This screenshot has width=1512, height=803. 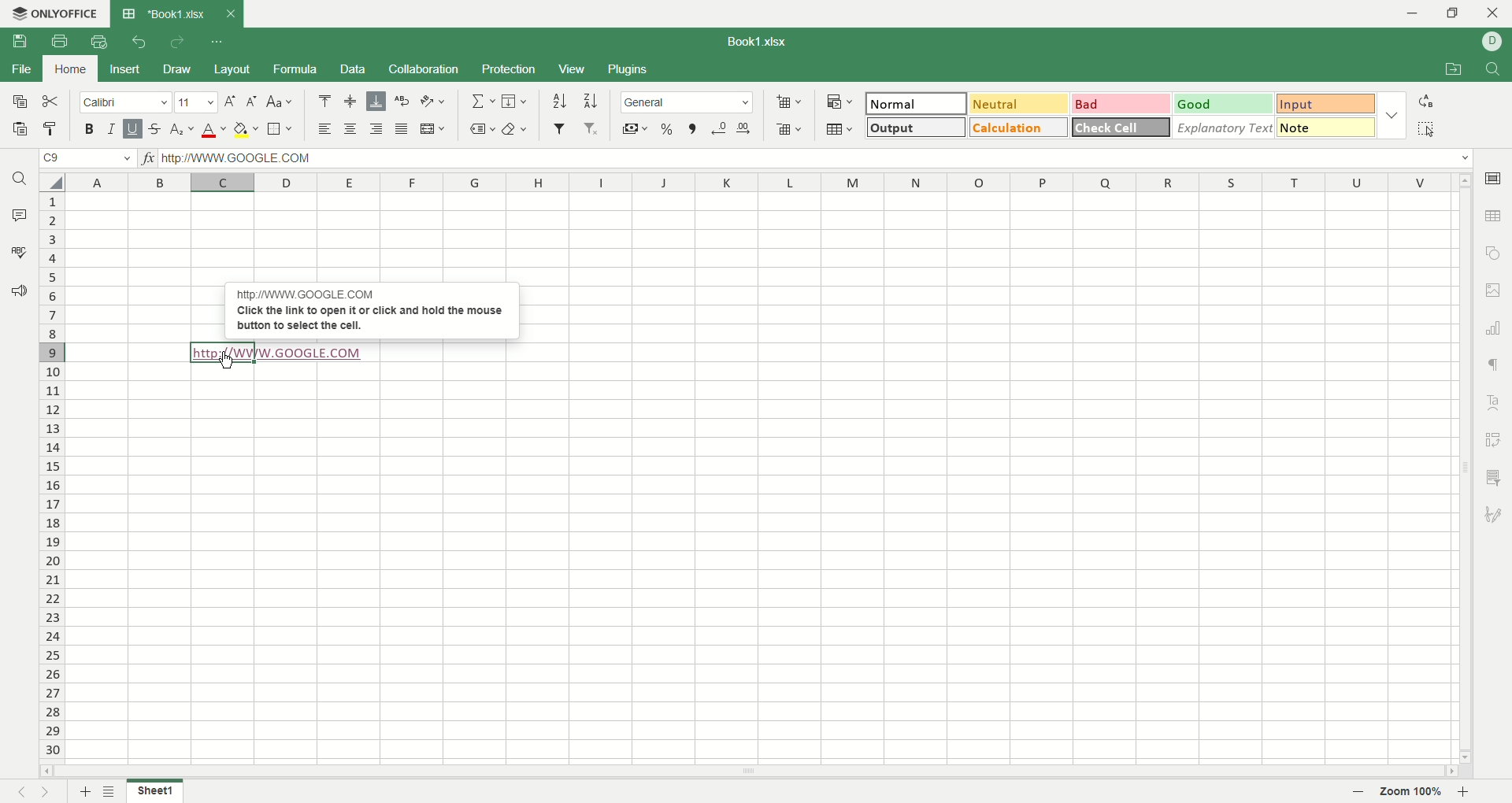 I want to click on next, so click(x=48, y=792).